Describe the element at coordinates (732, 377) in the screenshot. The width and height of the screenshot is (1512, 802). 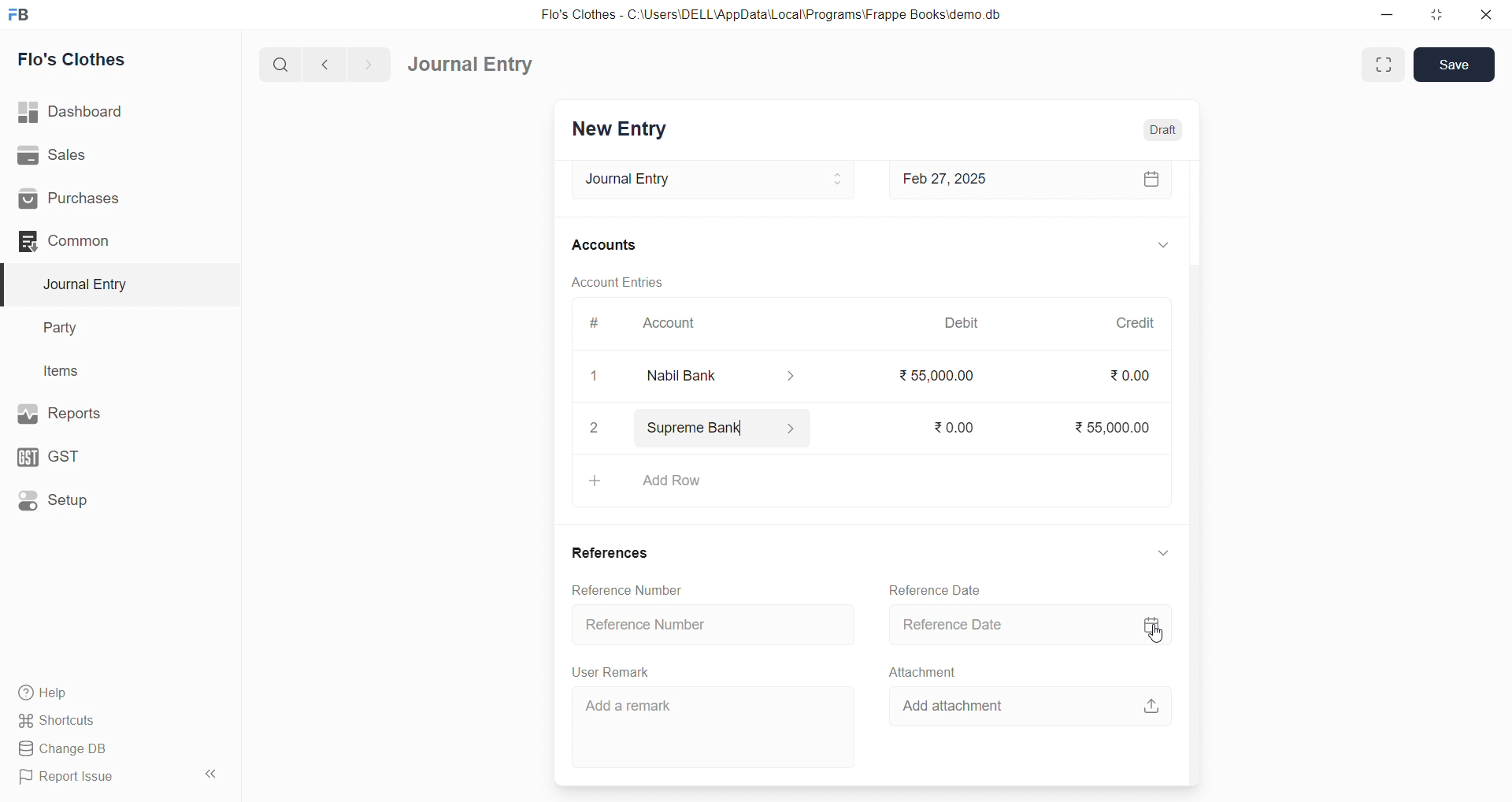
I see `Nabil Bank` at that location.